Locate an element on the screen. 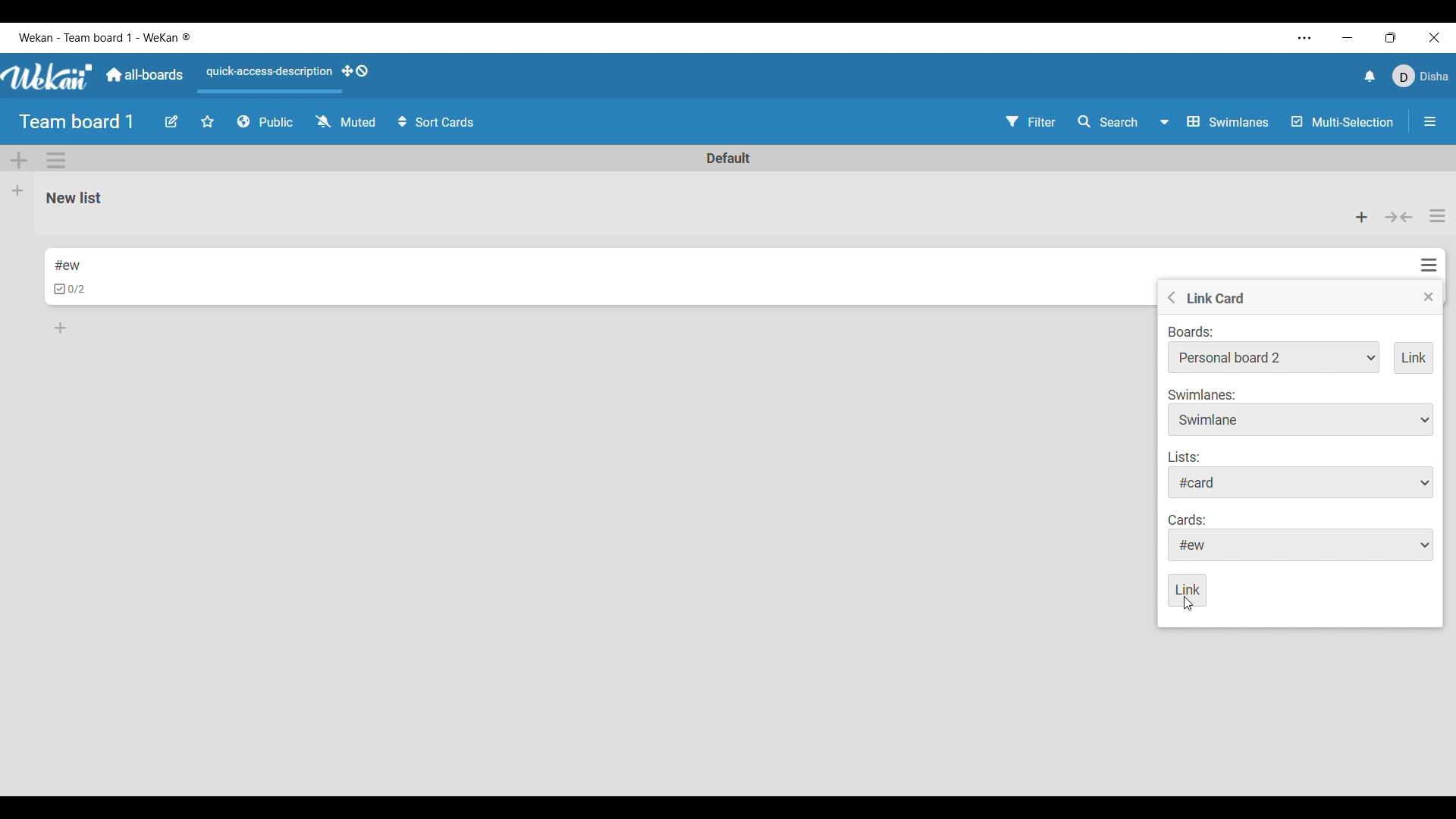  Edit board is located at coordinates (171, 121).